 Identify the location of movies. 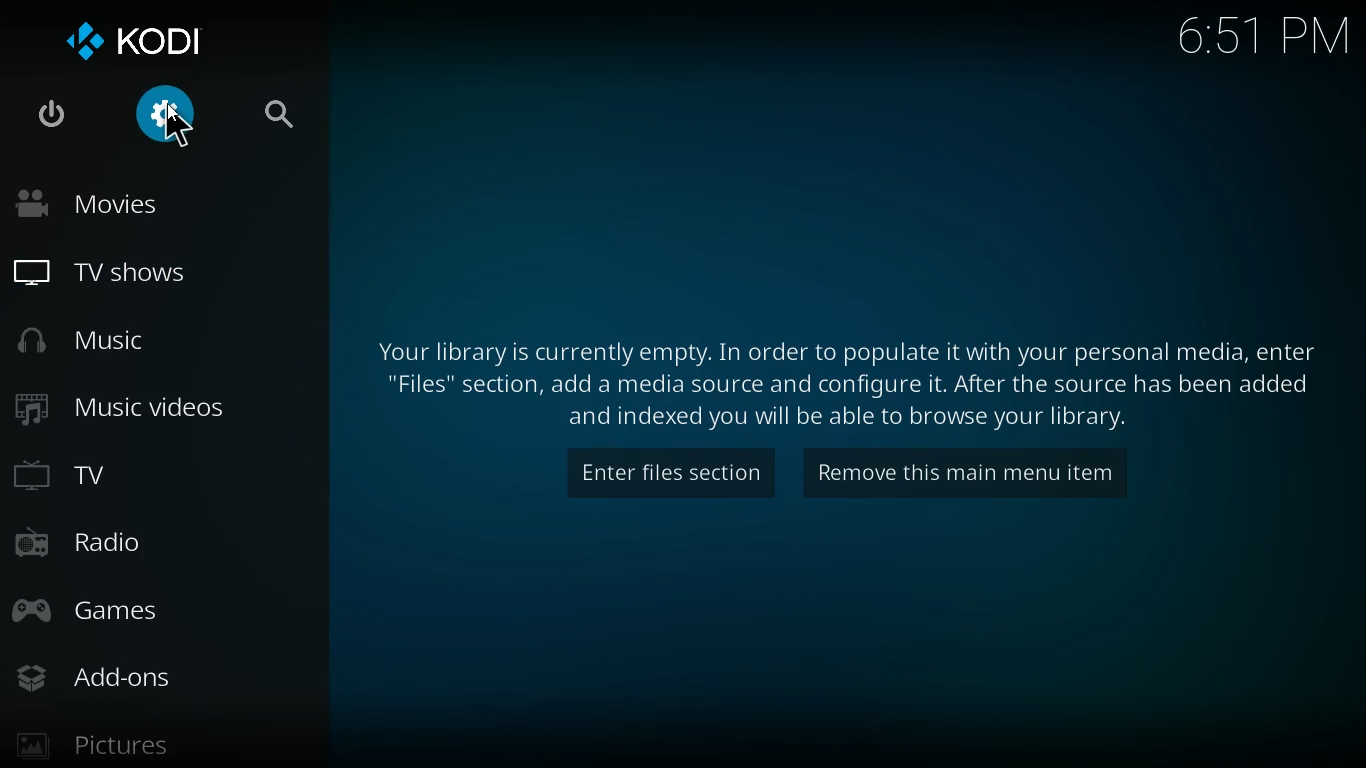
(148, 207).